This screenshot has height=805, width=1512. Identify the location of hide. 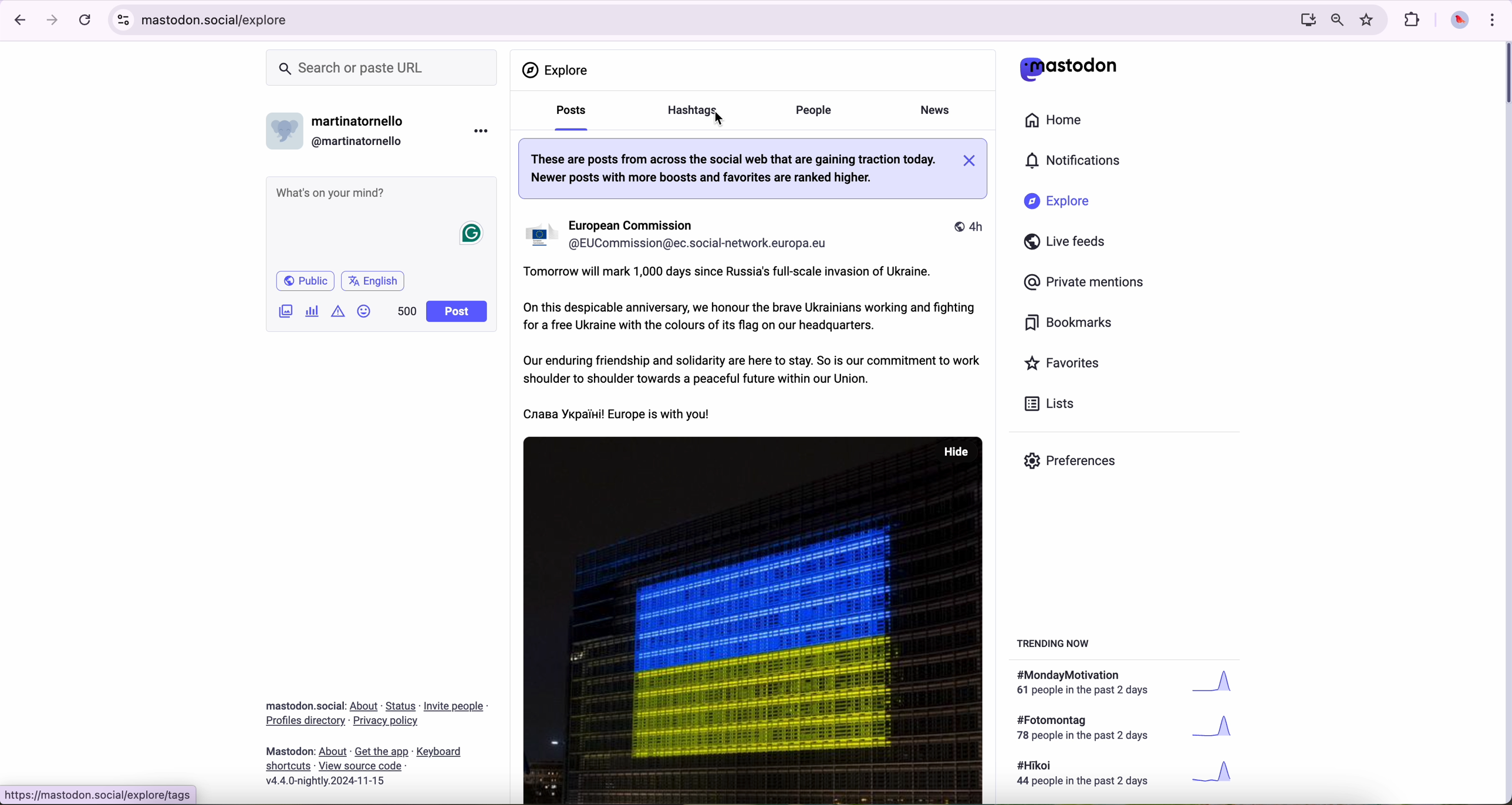
(956, 450).